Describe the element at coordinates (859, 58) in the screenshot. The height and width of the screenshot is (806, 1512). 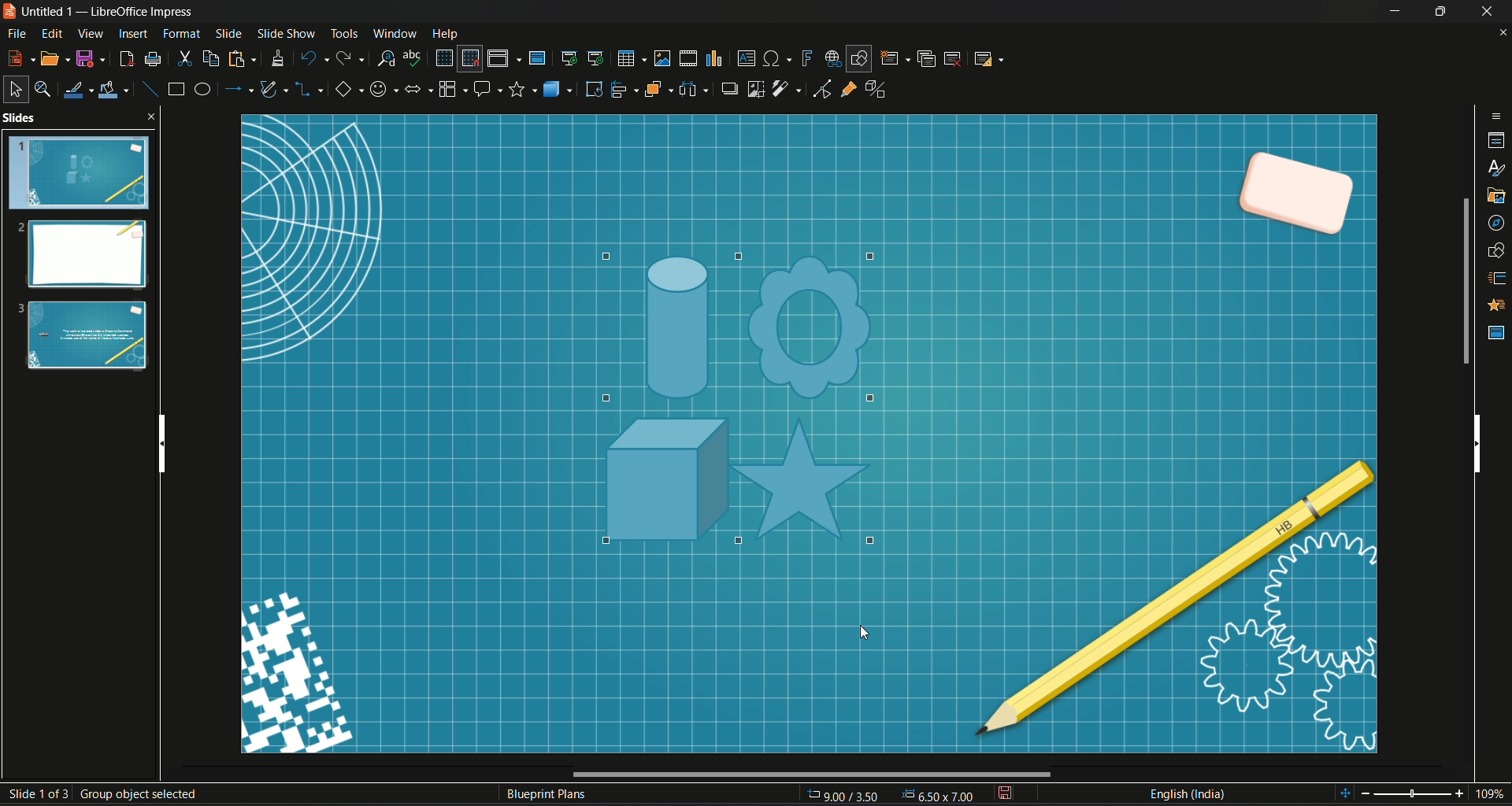
I see `show draw function` at that location.